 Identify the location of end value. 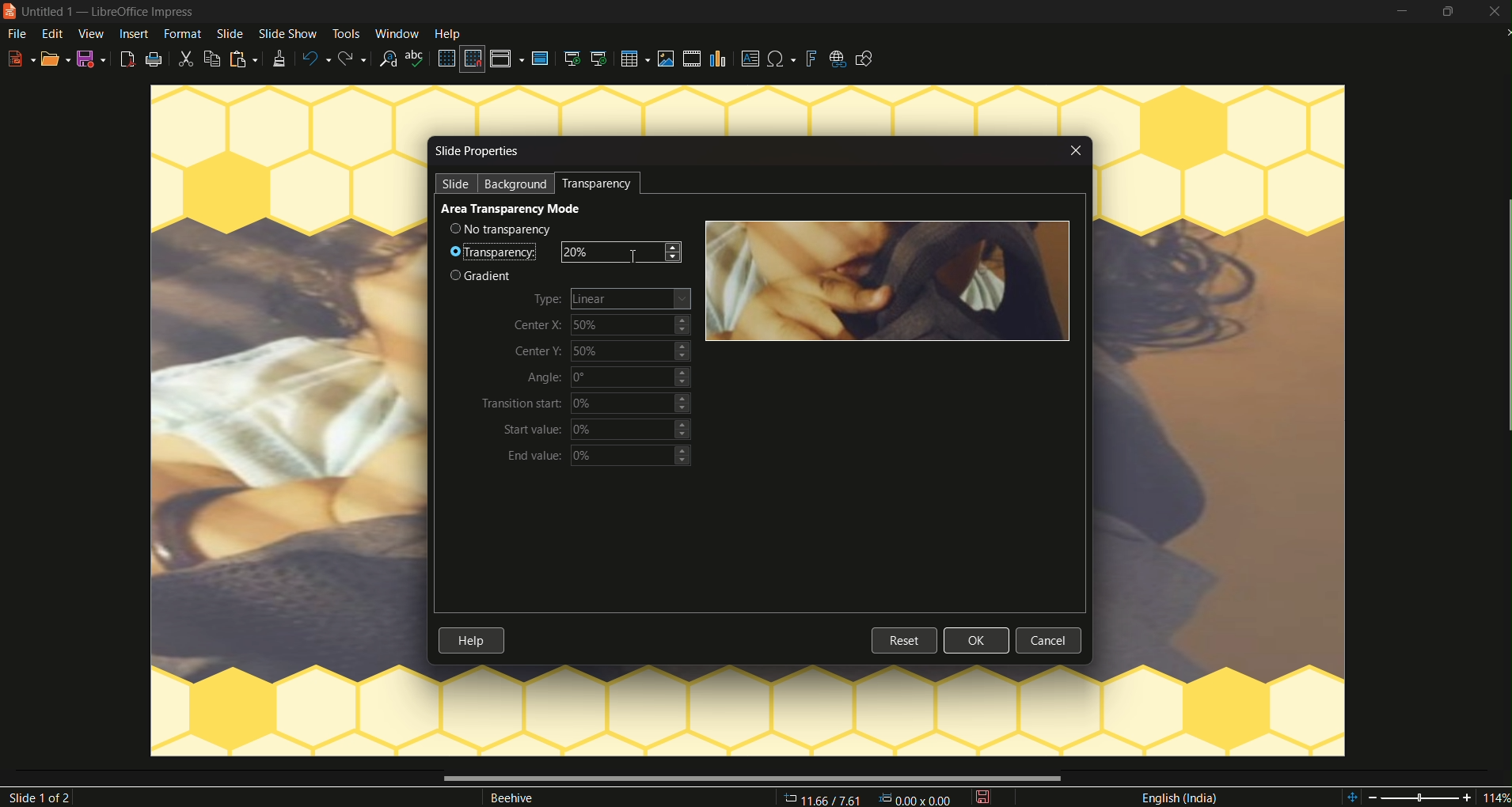
(534, 457).